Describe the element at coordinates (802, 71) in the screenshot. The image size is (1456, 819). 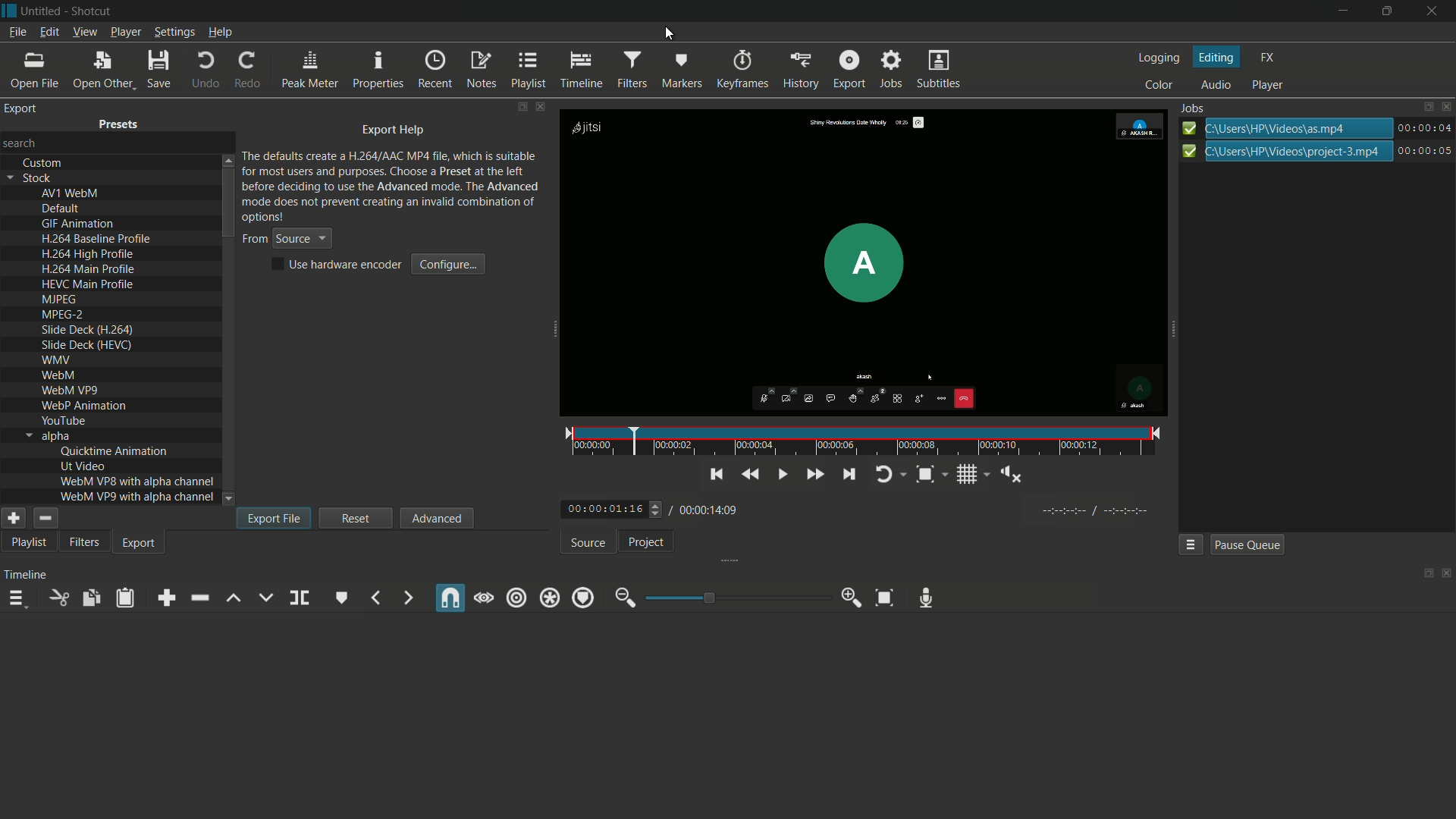
I see `export` at that location.